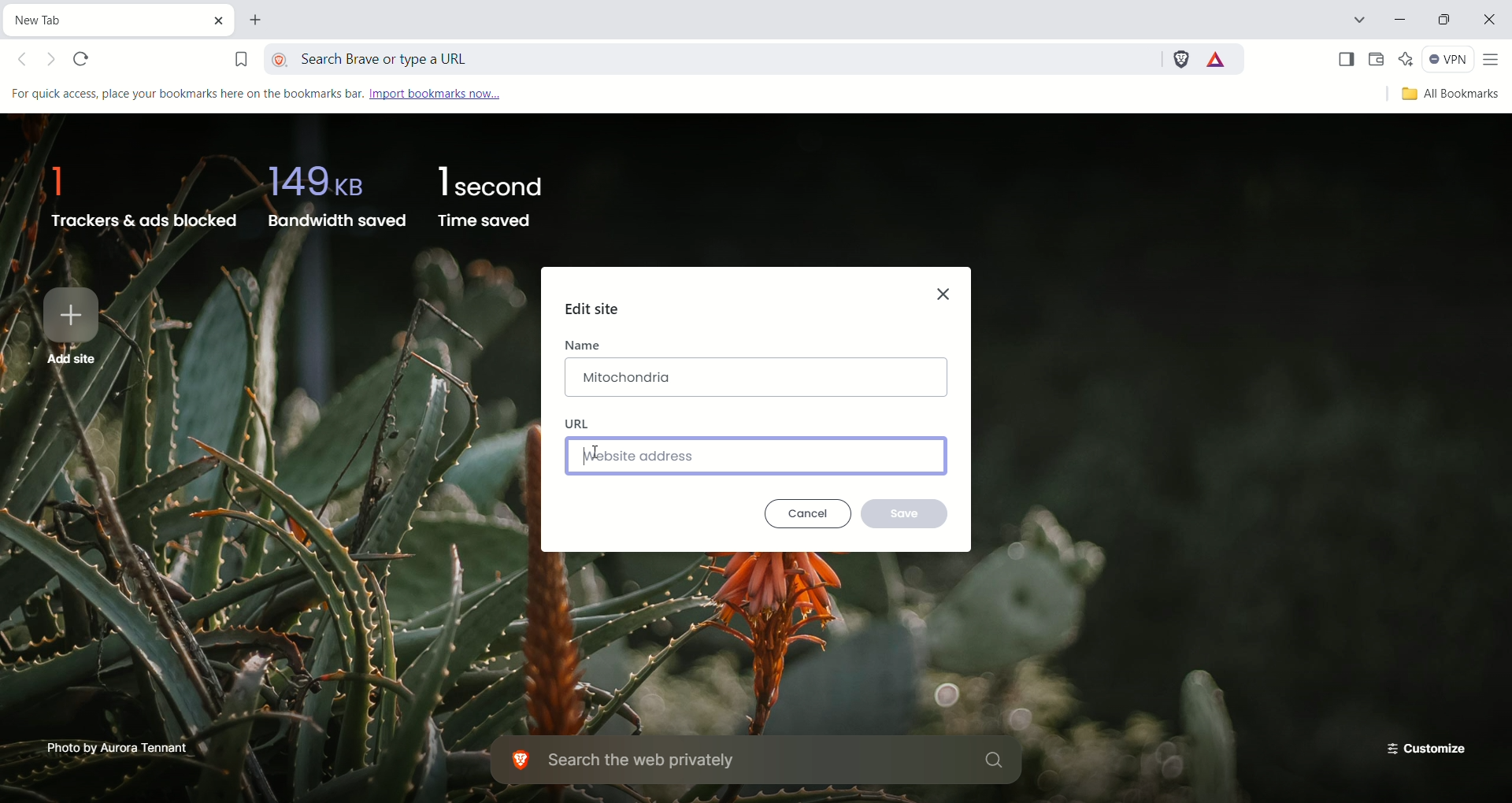 This screenshot has height=803, width=1512. Describe the element at coordinates (757, 455) in the screenshot. I see `Website address` at that location.